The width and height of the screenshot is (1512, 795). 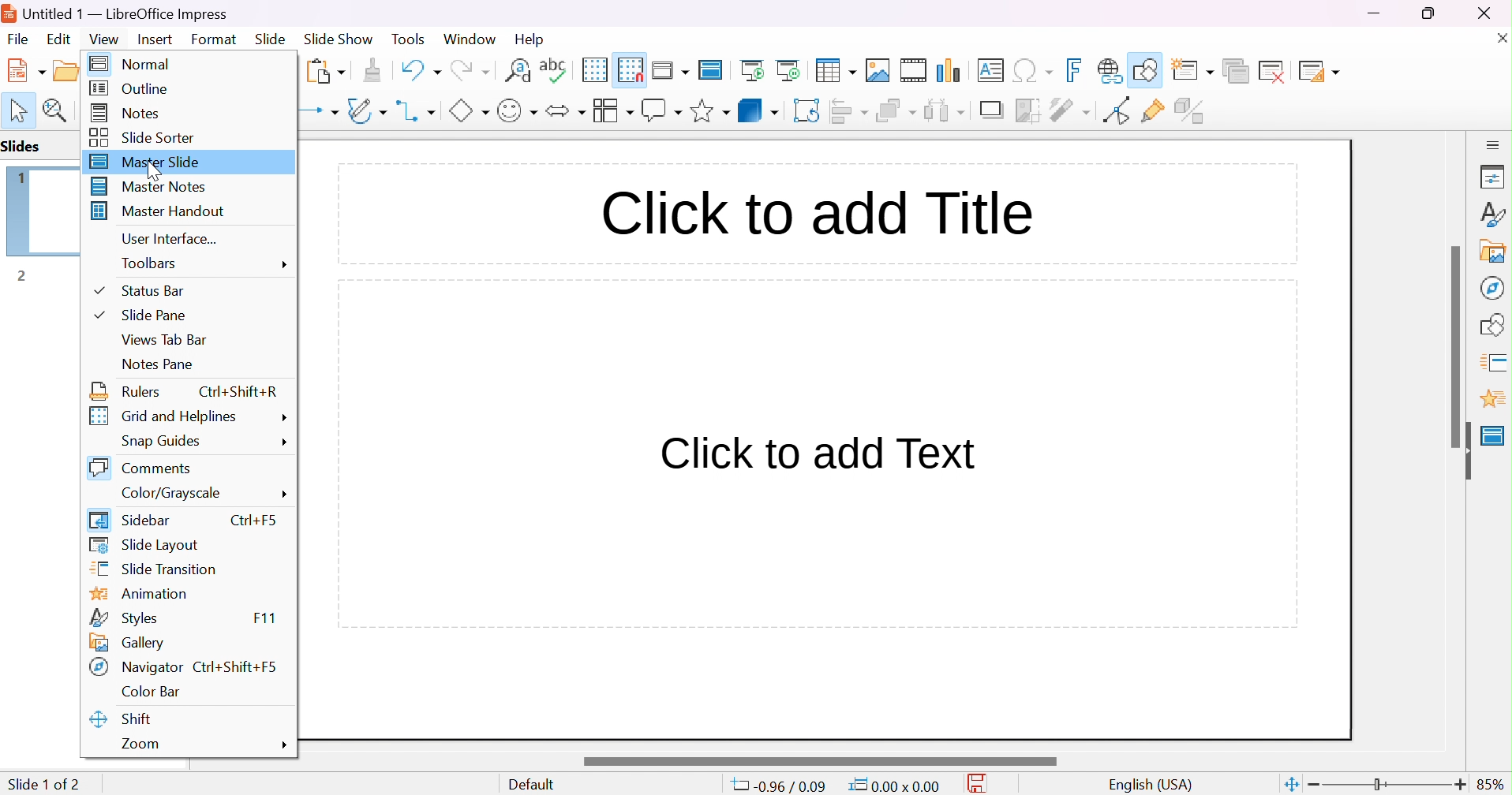 I want to click on slide show, so click(x=339, y=37).